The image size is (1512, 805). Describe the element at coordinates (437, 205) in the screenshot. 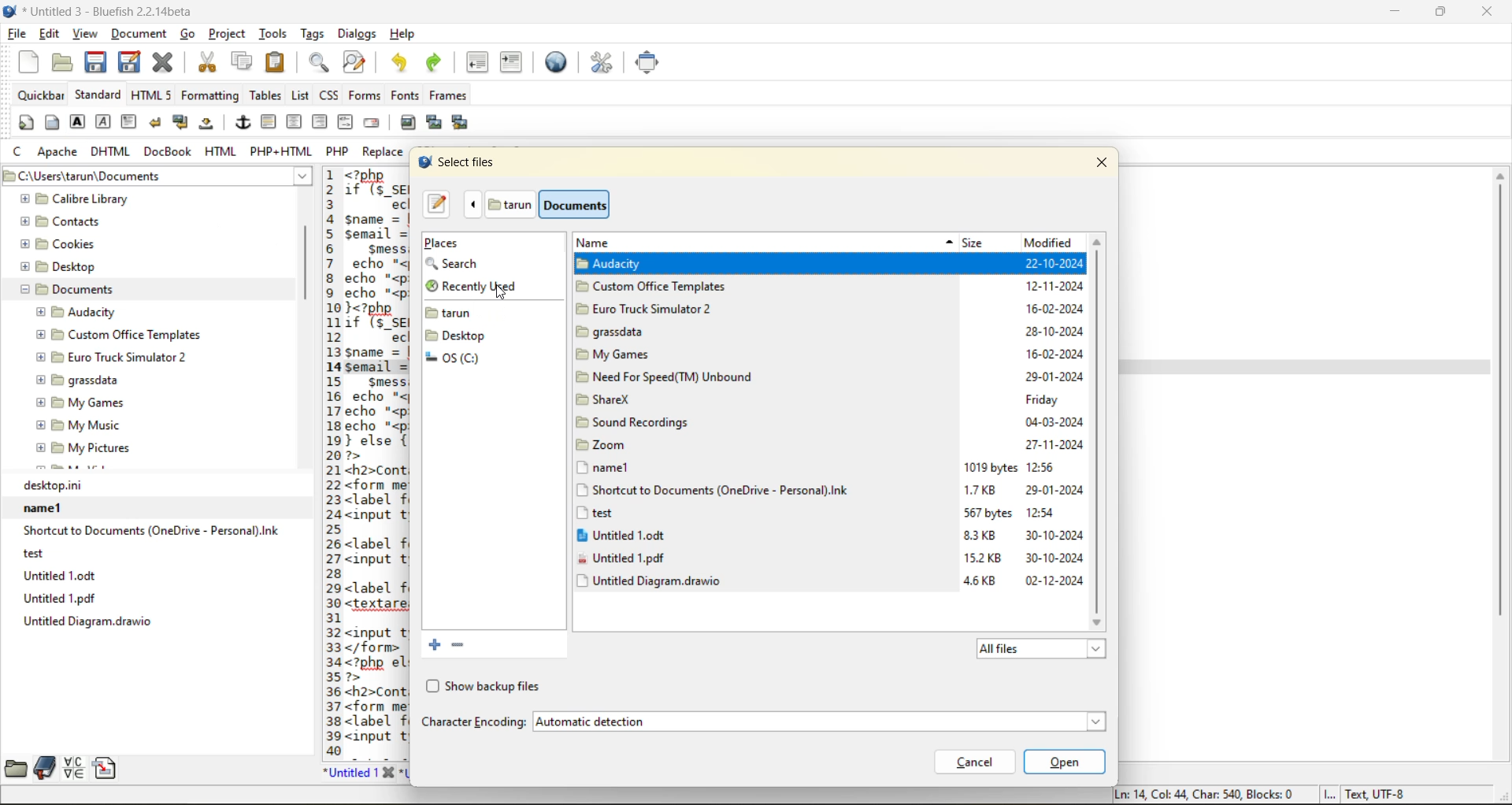

I see `type a file name` at that location.